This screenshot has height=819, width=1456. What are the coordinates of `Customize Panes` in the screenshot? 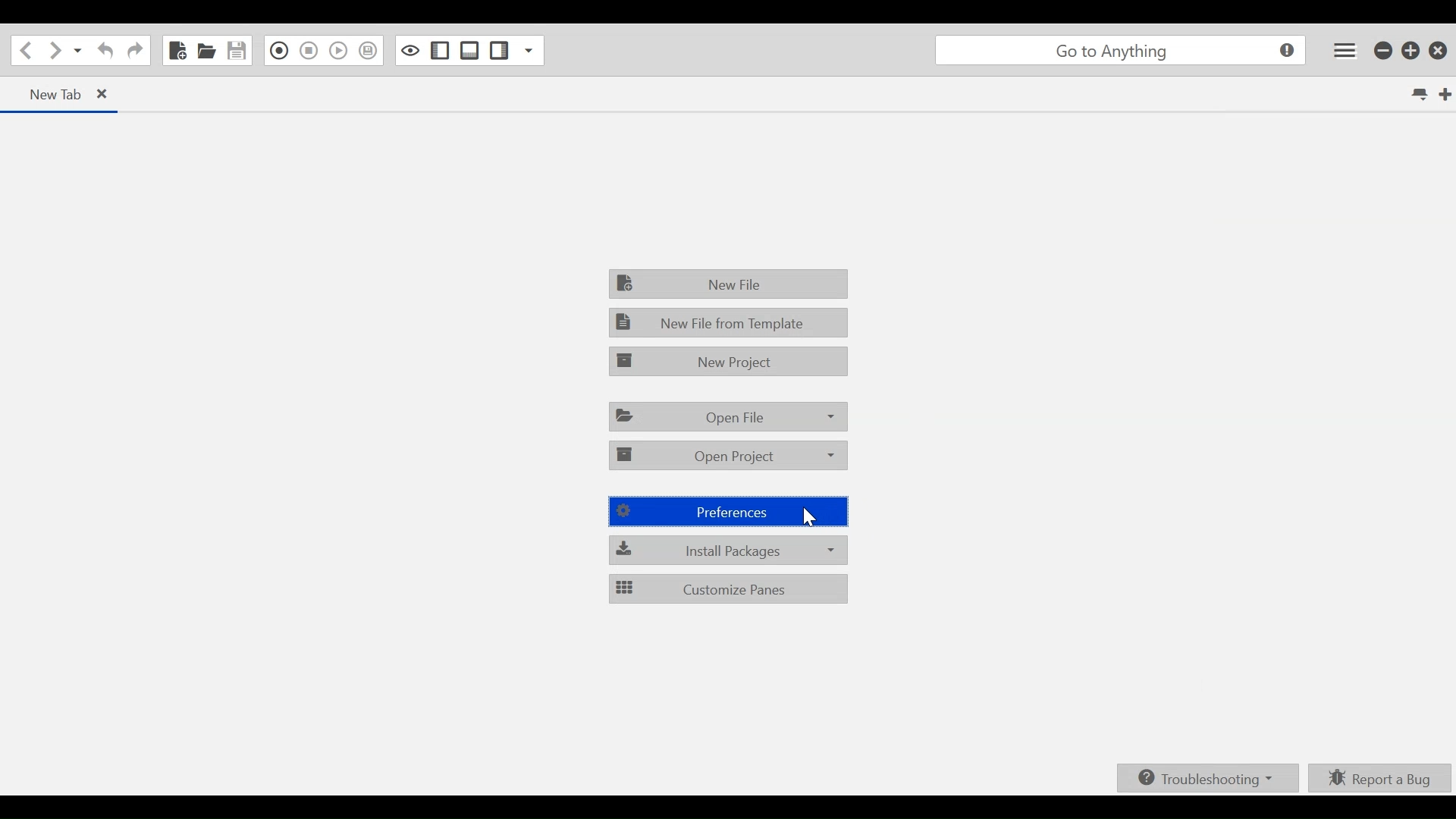 It's located at (727, 588).